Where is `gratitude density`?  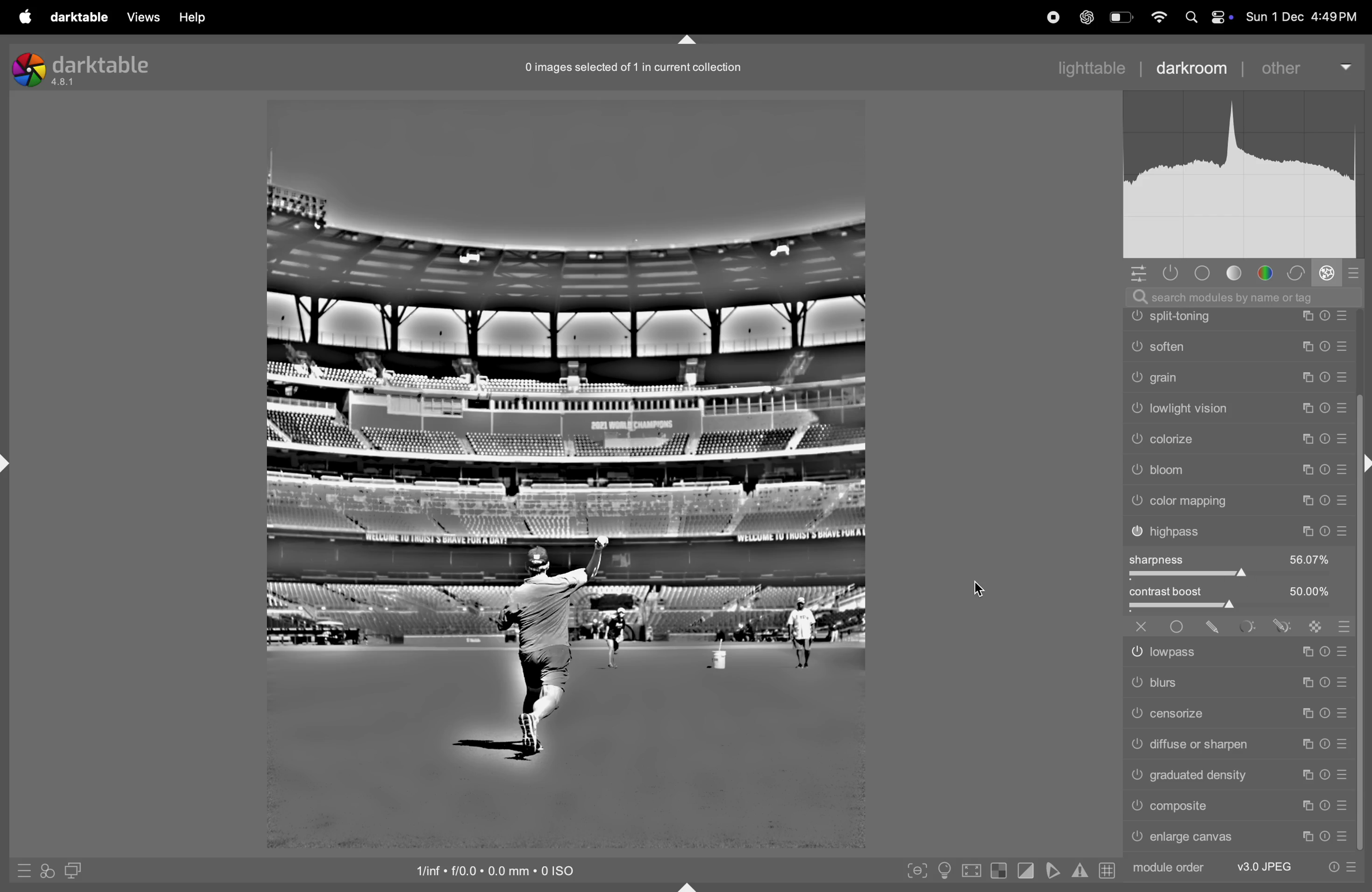 gratitude density is located at coordinates (1238, 774).